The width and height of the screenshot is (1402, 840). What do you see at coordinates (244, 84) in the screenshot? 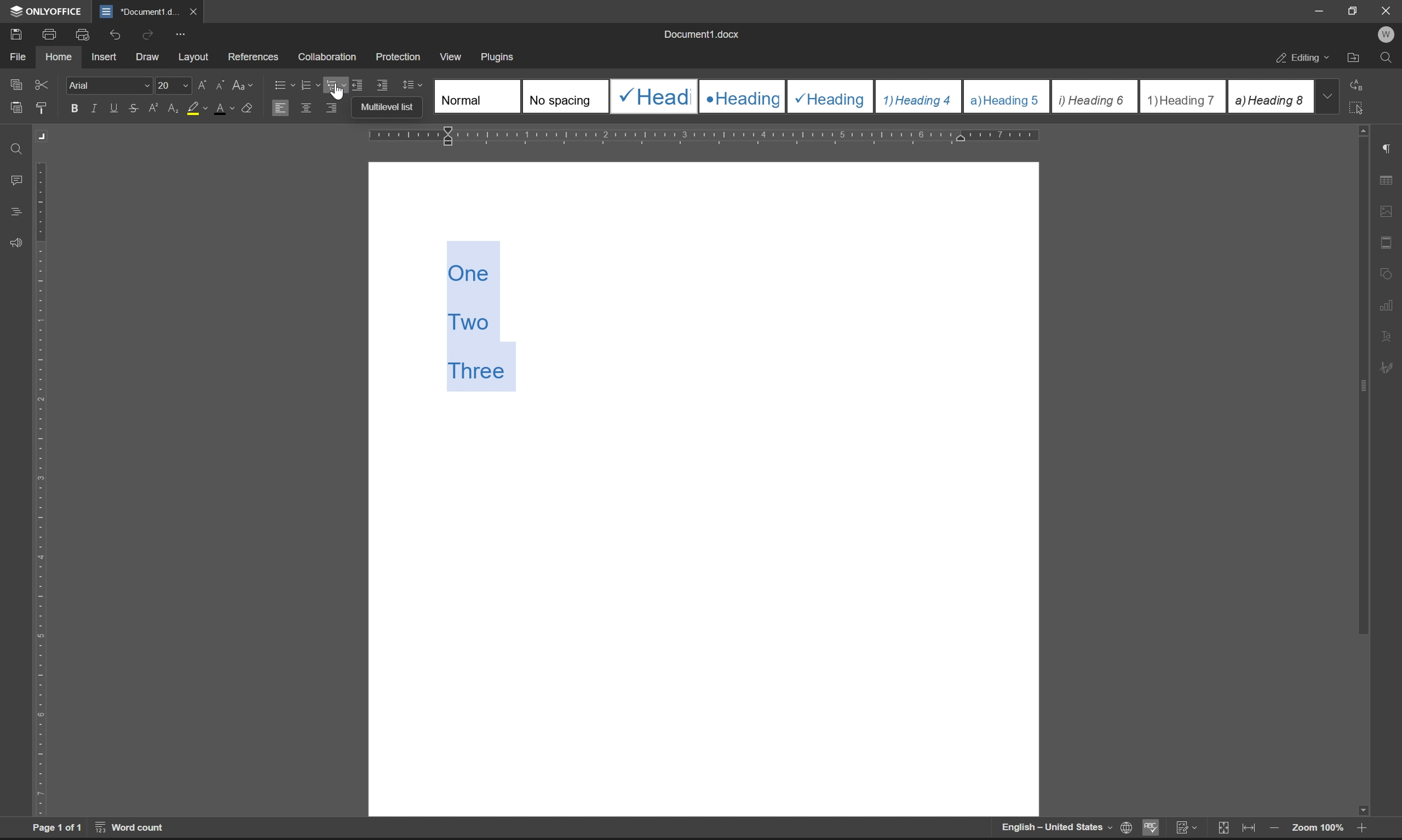
I see `change case` at bounding box center [244, 84].